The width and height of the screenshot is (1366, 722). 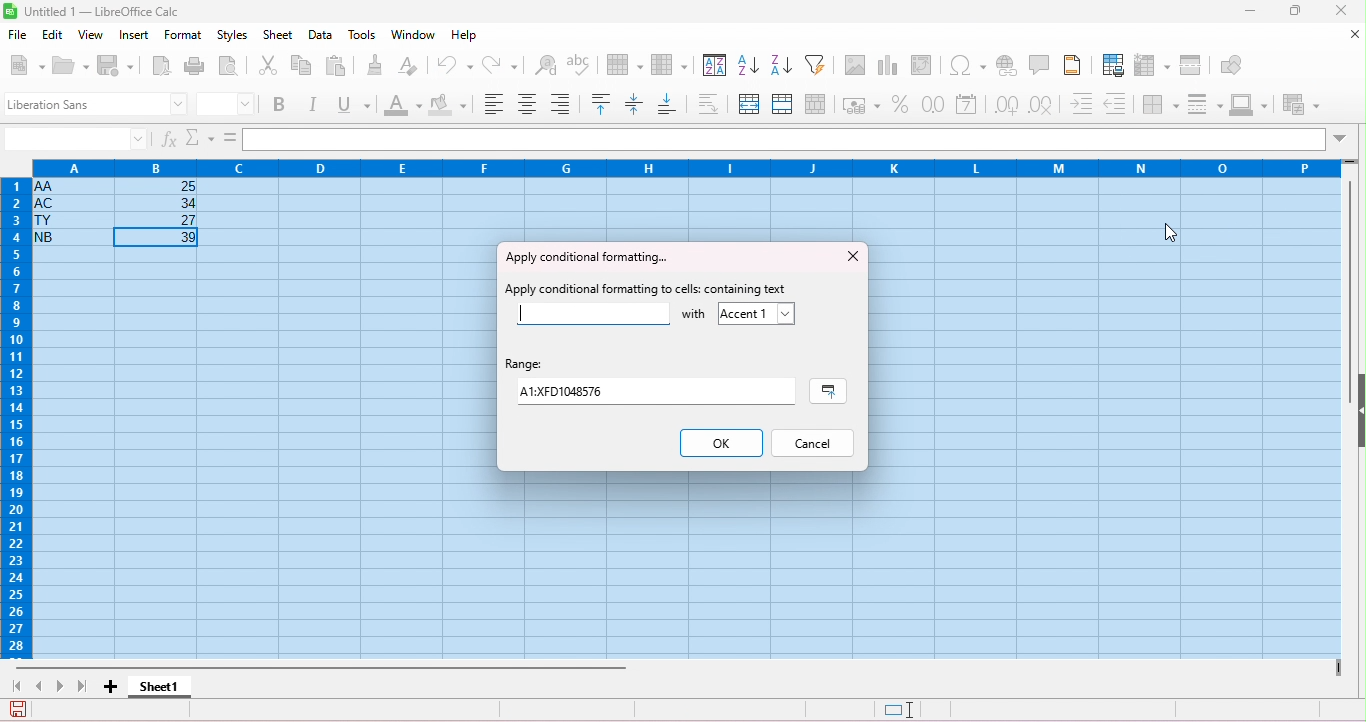 What do you see at coordinates (226, 104) in the screenshot?
I see `font size` at bounding box center [226, 104].